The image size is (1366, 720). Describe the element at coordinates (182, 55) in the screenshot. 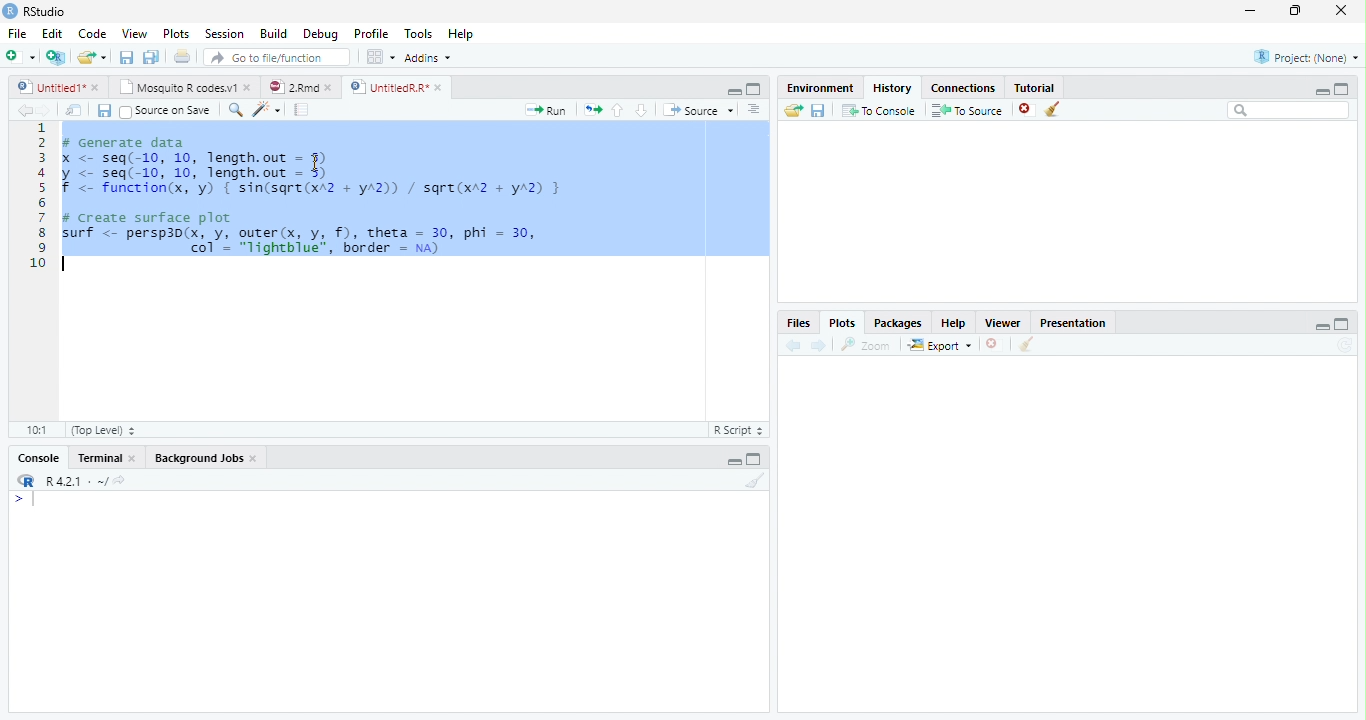

I see `Print the current file` at that location.